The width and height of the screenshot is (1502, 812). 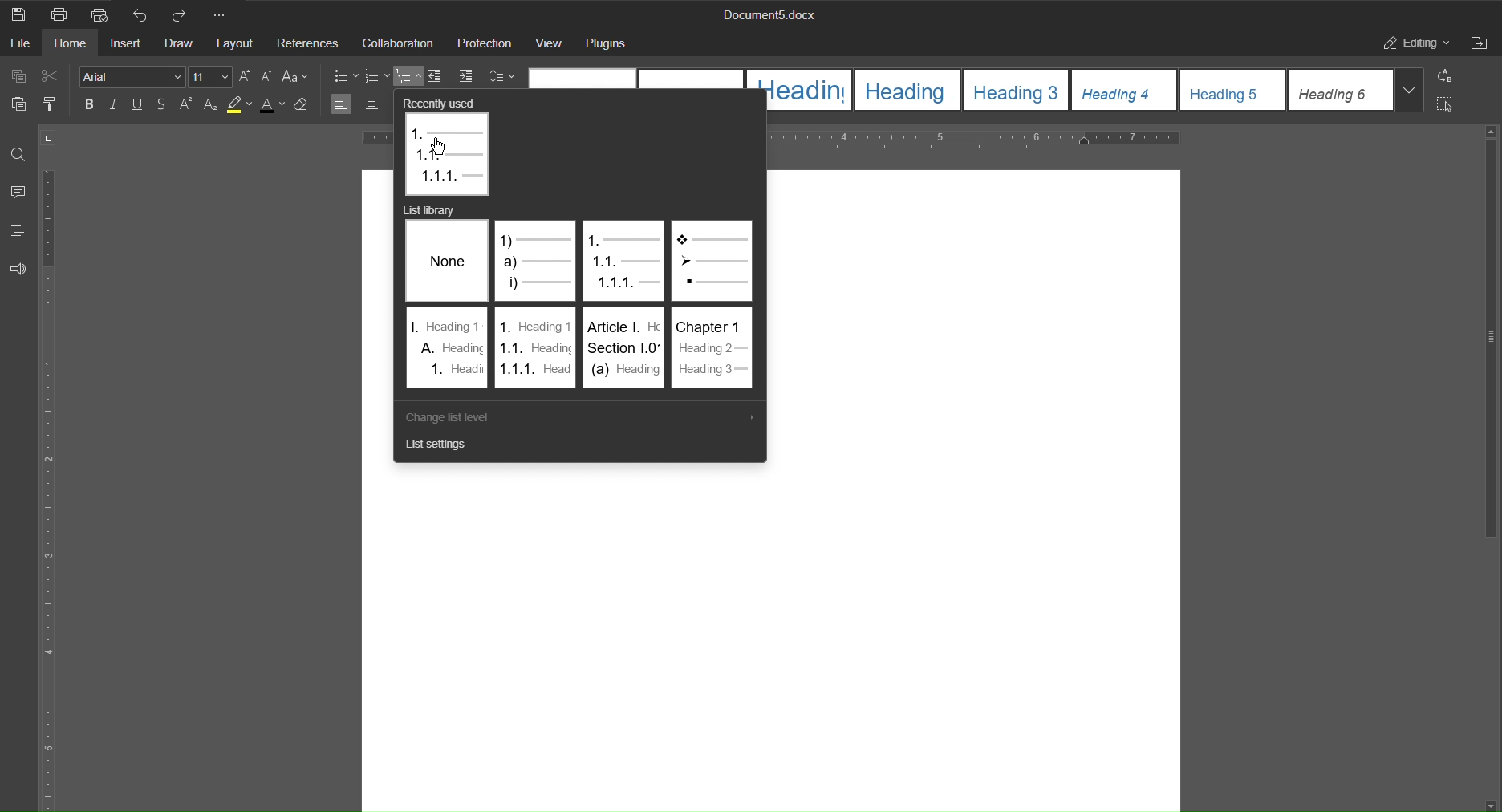 What do you see at coordinates (1413, 43) in the screenshot?
I see `Editing` at bounding box center [1413, 43].